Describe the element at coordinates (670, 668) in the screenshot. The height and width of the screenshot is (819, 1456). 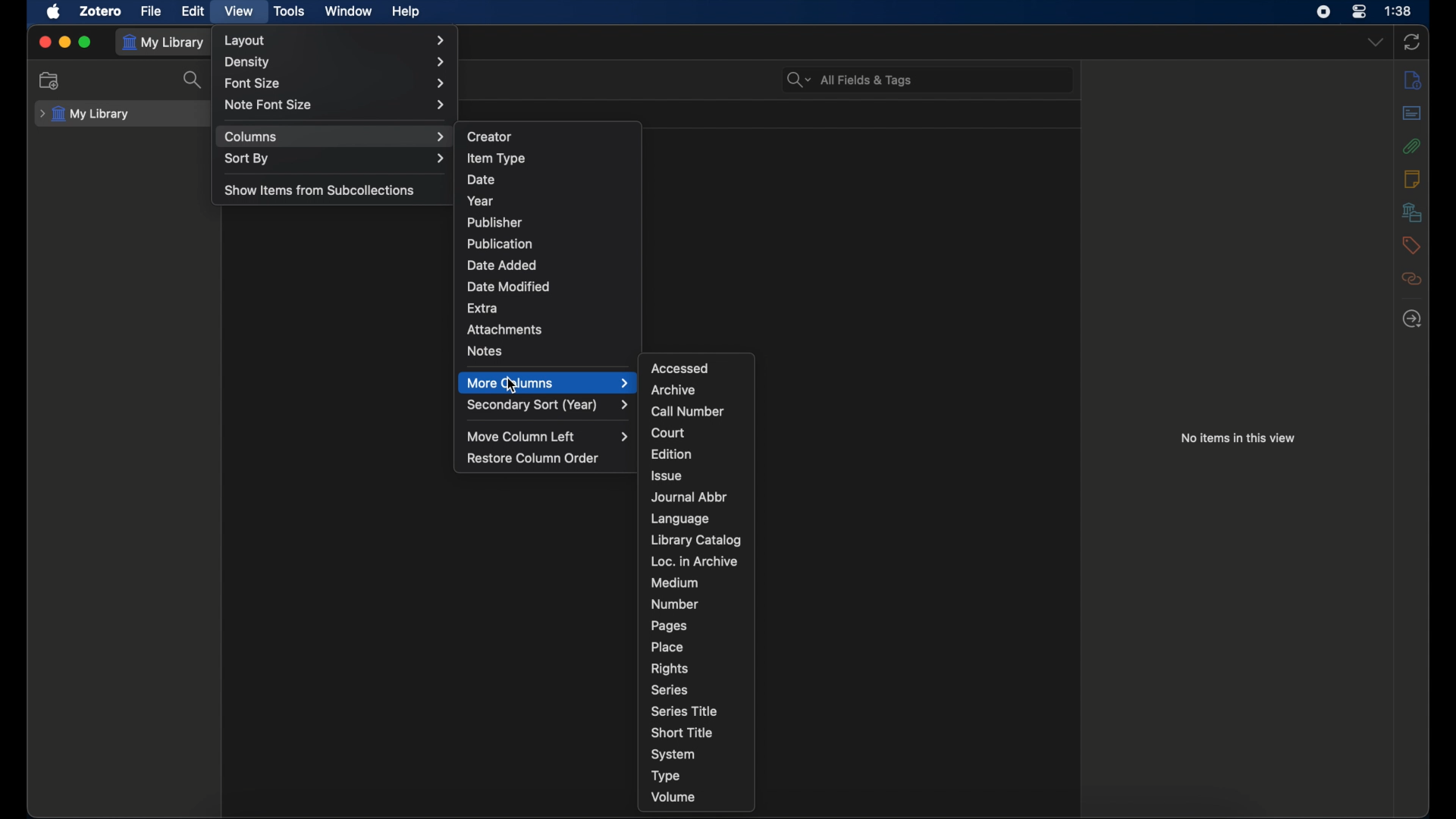
I see `rights` at that location.